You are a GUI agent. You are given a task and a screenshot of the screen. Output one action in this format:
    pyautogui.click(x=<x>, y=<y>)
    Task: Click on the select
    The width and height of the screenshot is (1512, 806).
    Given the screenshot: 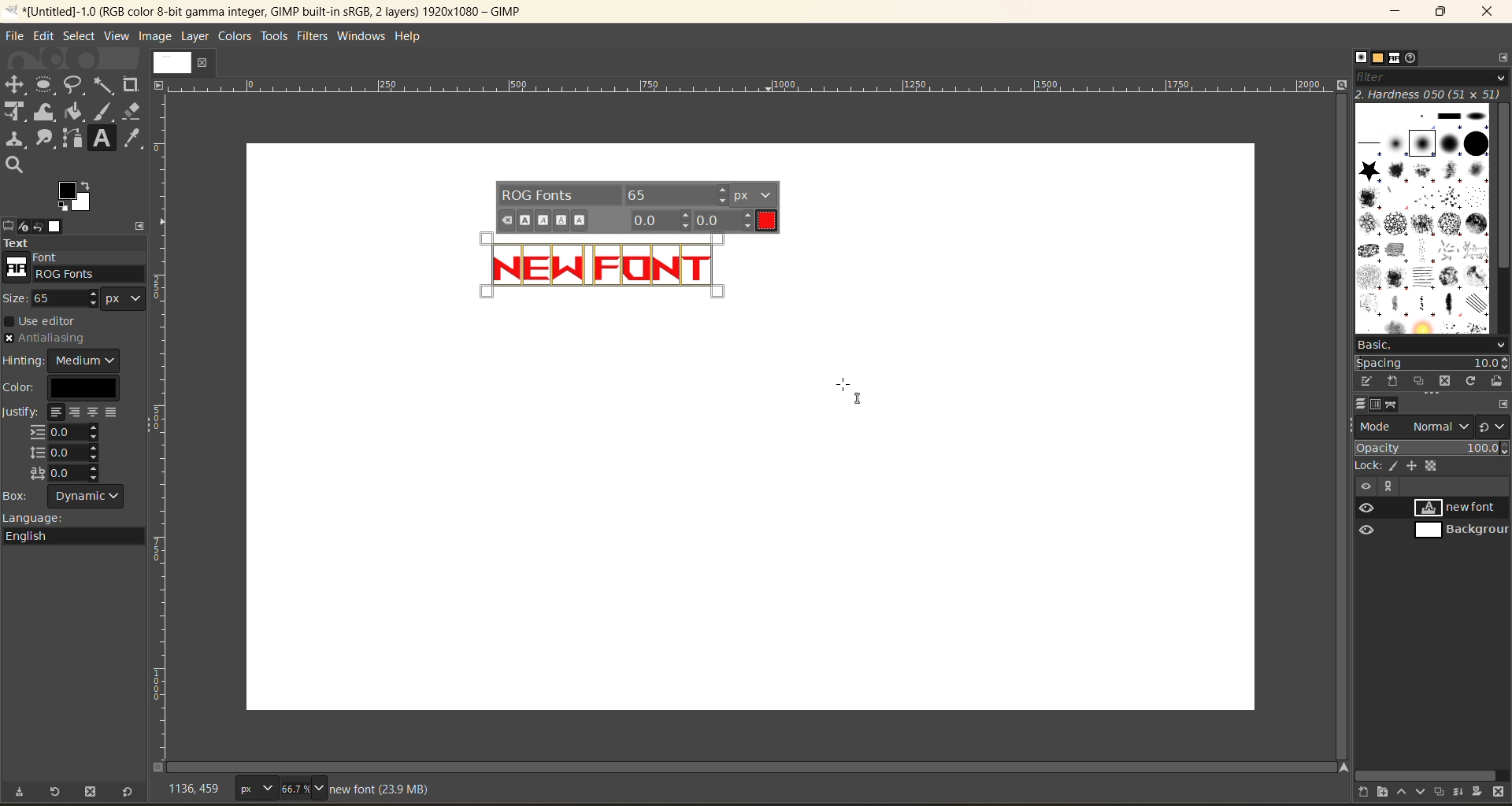 What is the action you would take?
    pyautogui.click(x=80, y=35)
    